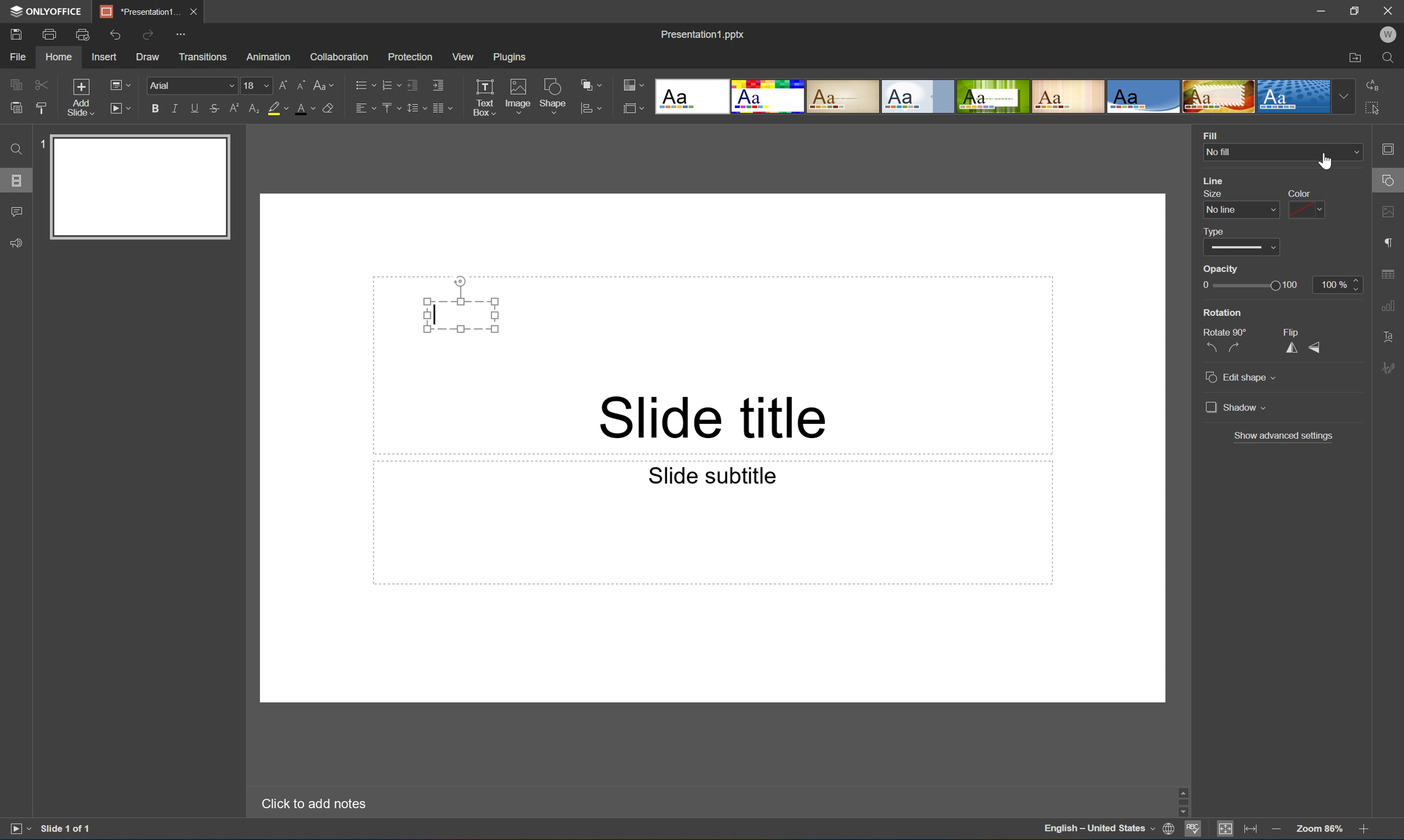 The height and width of the screenshot is (840, 1404). Describe the element at coordinates (13, 149) in the screenshot. I see `Find` at that location.